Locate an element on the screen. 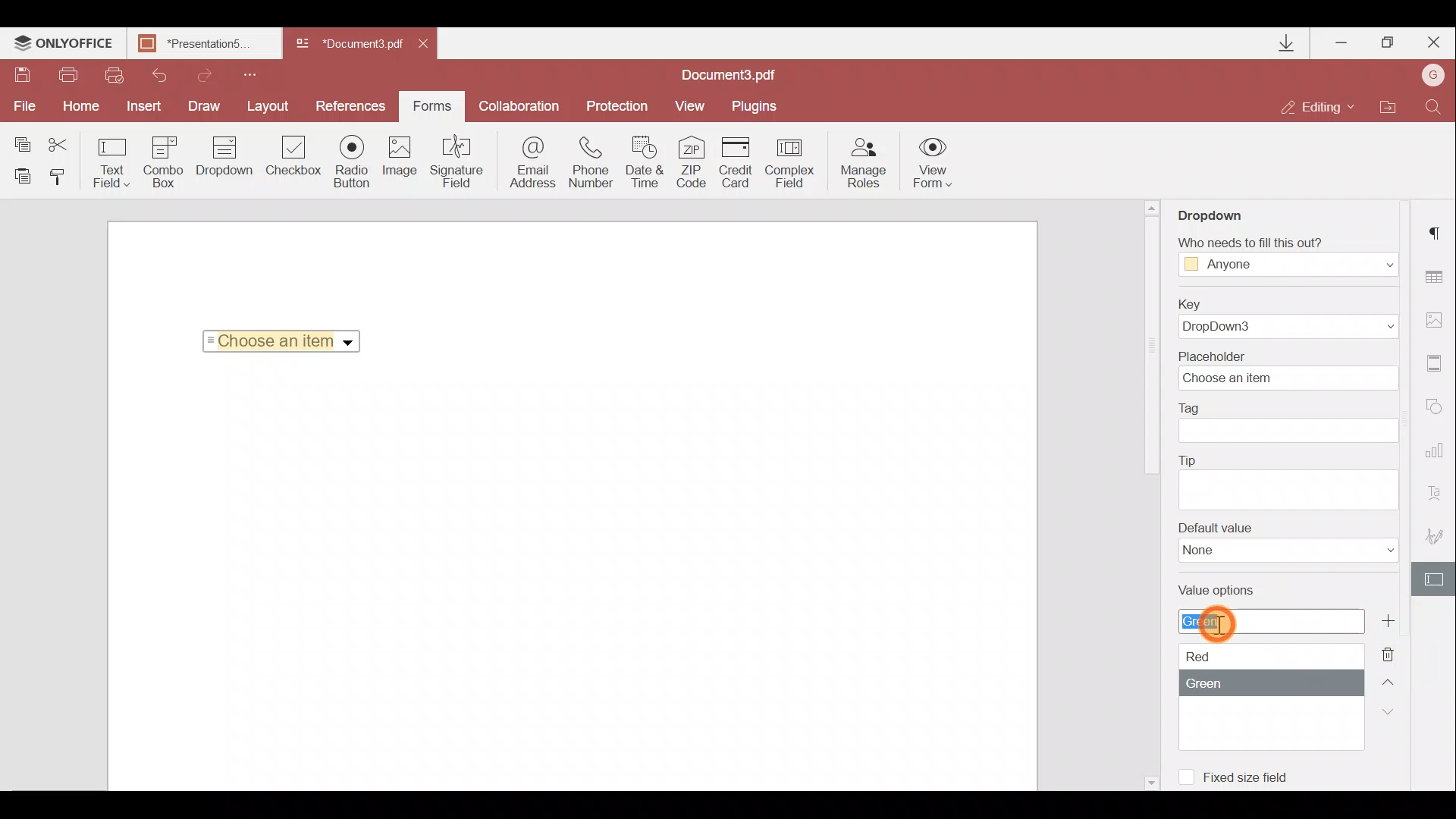 Image resolution: width=1456 pixels, height=819 pixels. Headers & footers settings is located at coordinates (1439, 364).